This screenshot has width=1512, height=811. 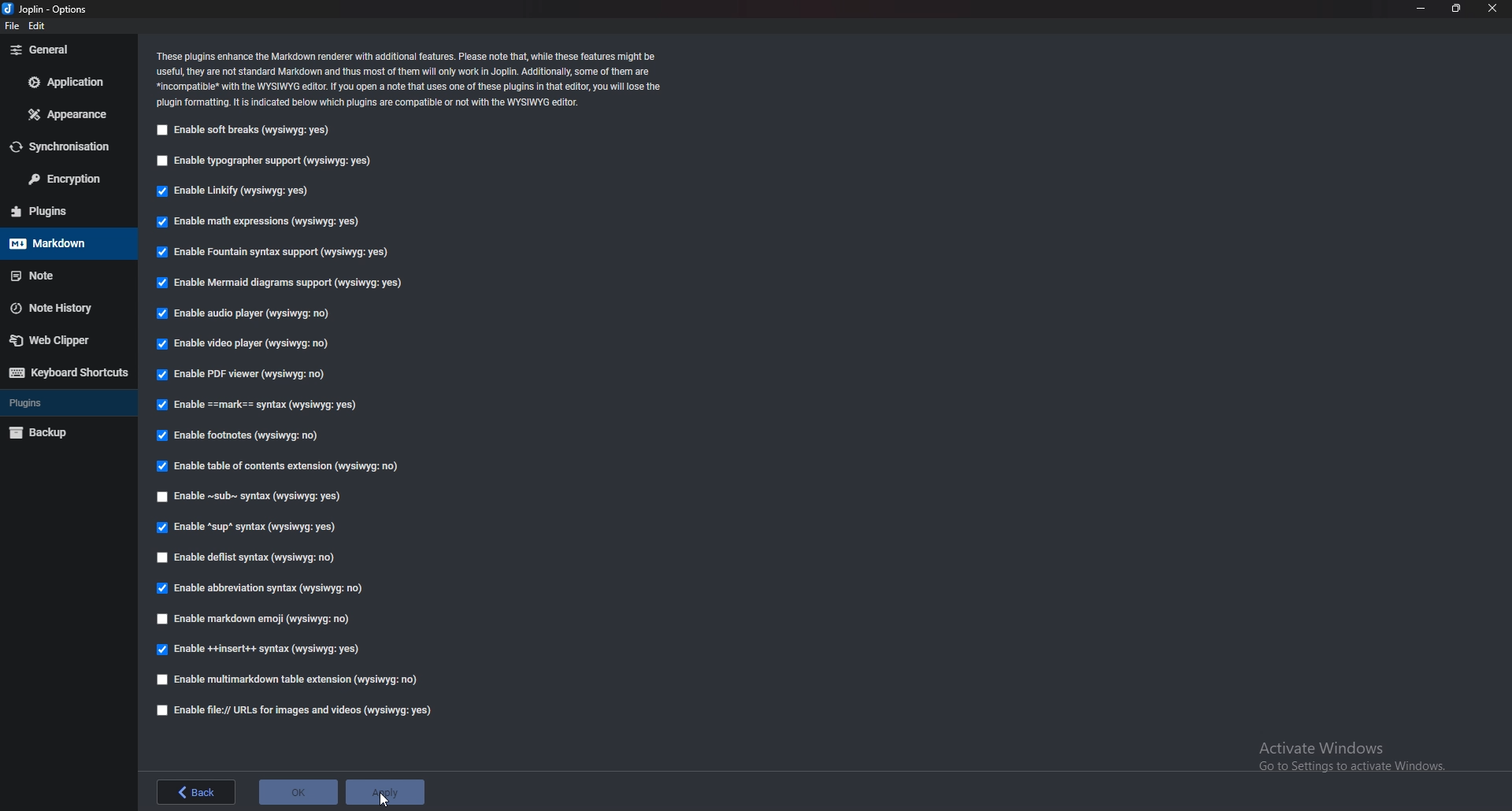 What do you see at coordinates (1492, 8) in the screenshot?
I see `close` at bounding box center [1492, 8].